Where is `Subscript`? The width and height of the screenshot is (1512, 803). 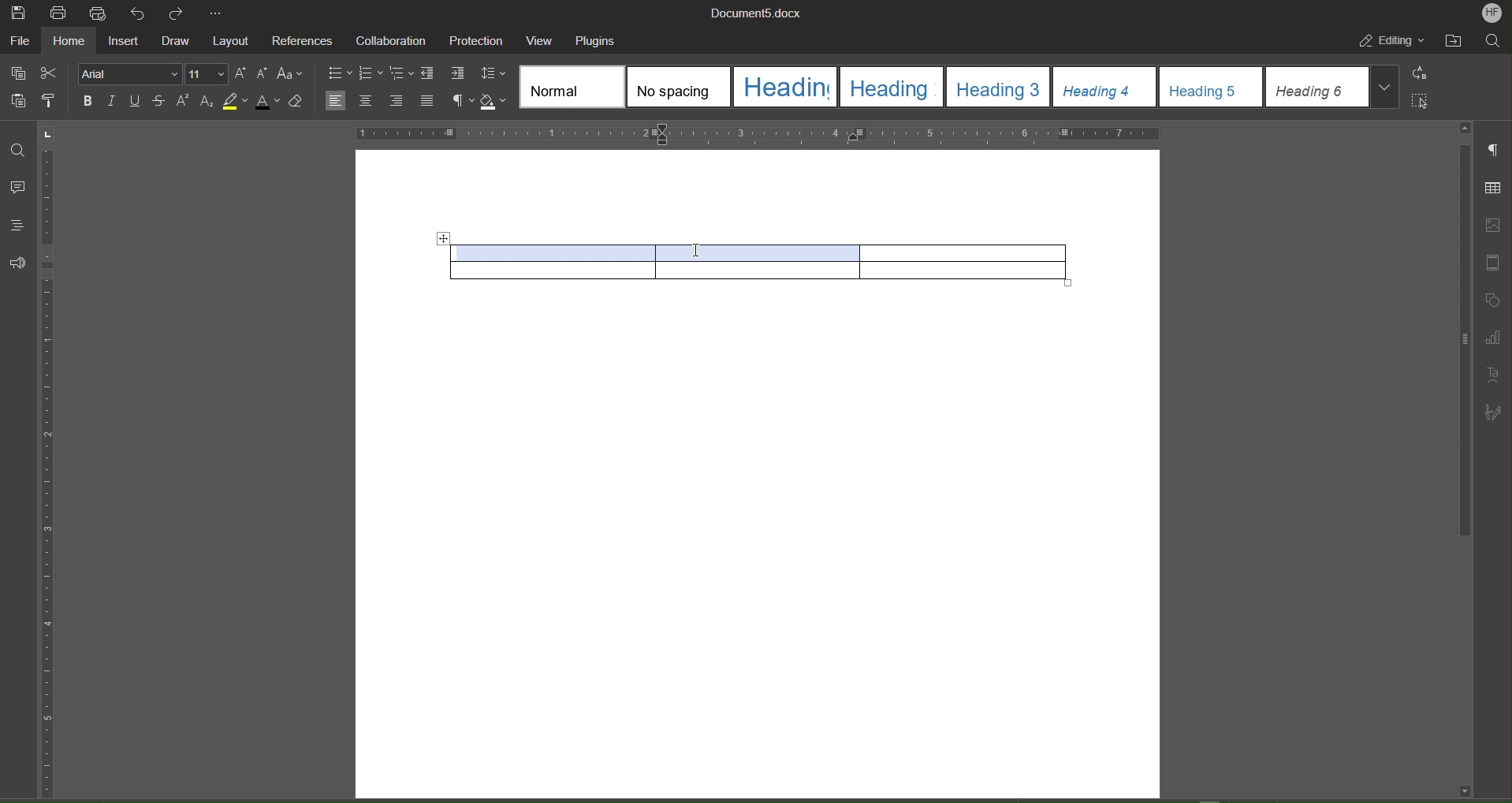 Subscript is located at coordinates (208, 102).